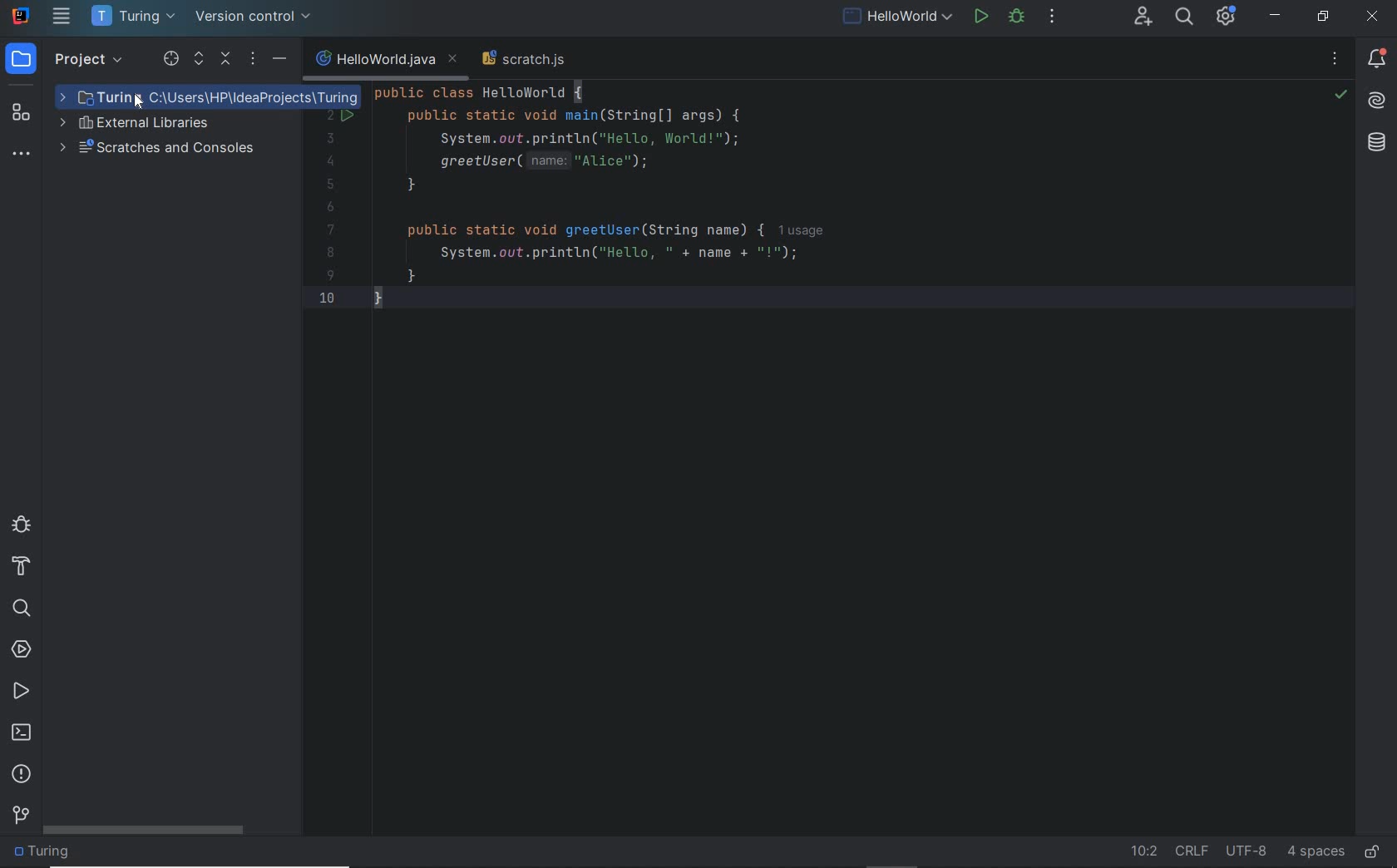 The image size is (1397, 868). I want to click on Sidebar panel control, so click(224, 60).